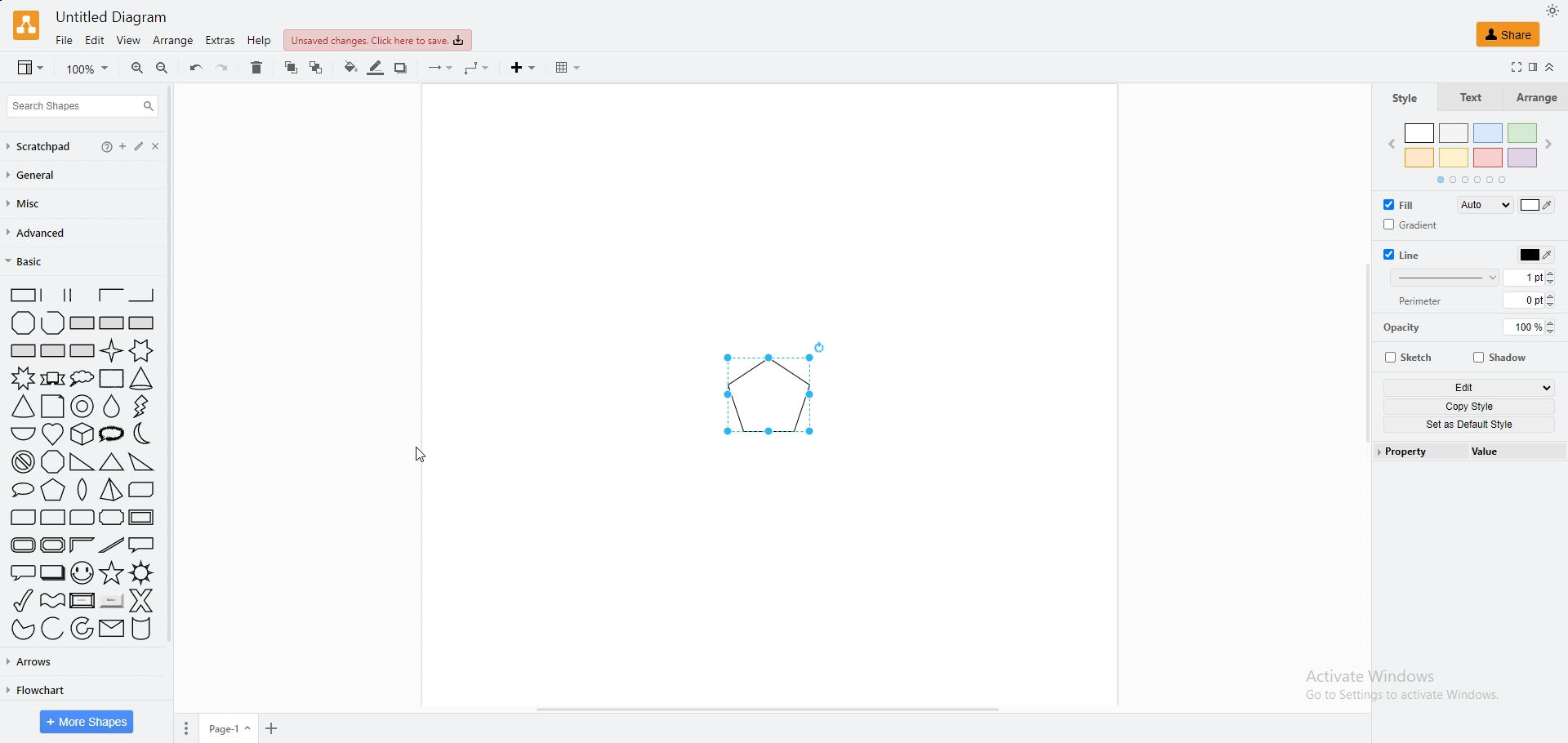 The image size is (1568, 743). Describe the element at coordinates (111, 602) in the screenshot. I see `button(shaded)` at that location.